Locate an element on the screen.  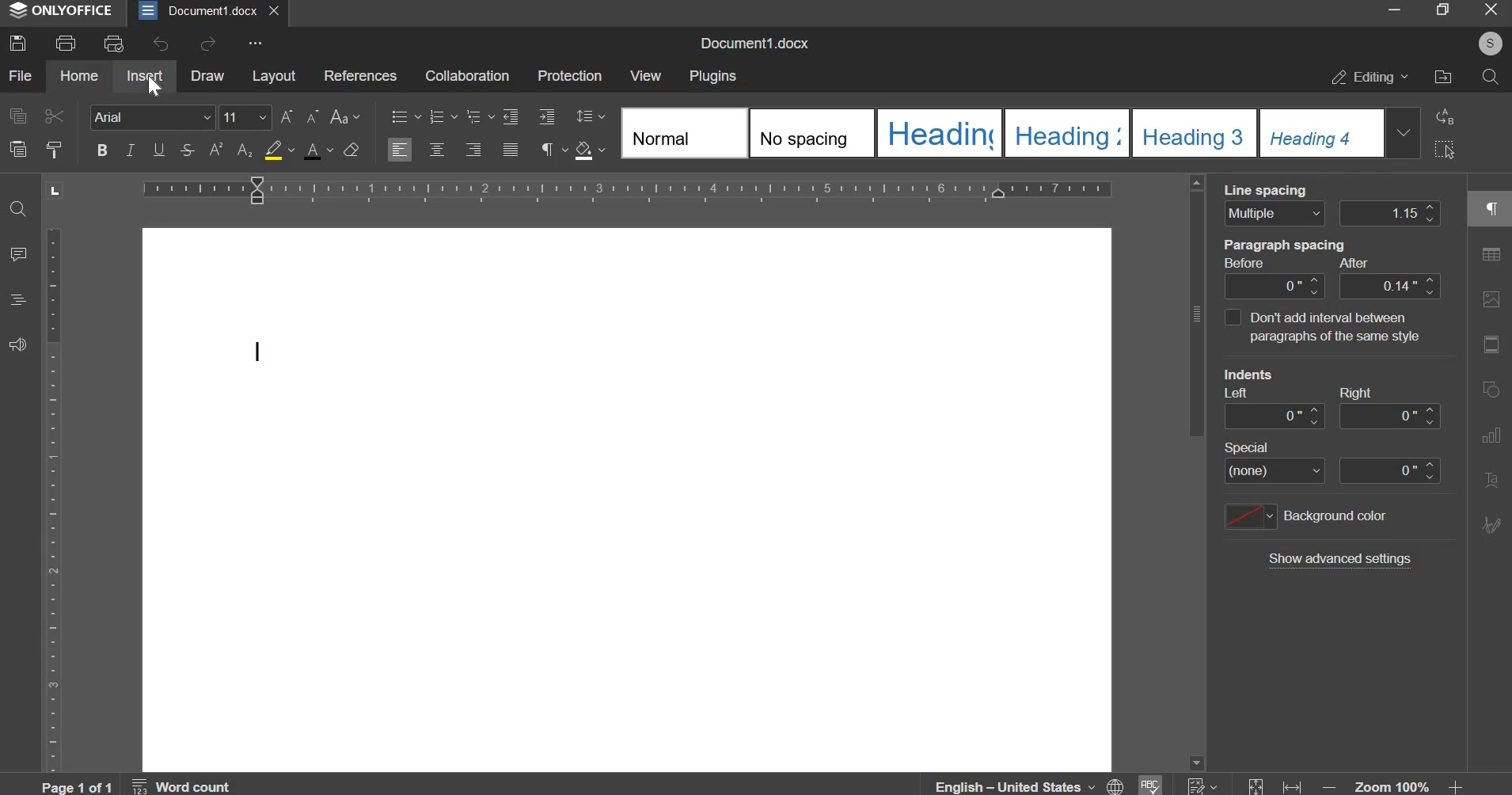
undo is located at coordinates (160, 44).